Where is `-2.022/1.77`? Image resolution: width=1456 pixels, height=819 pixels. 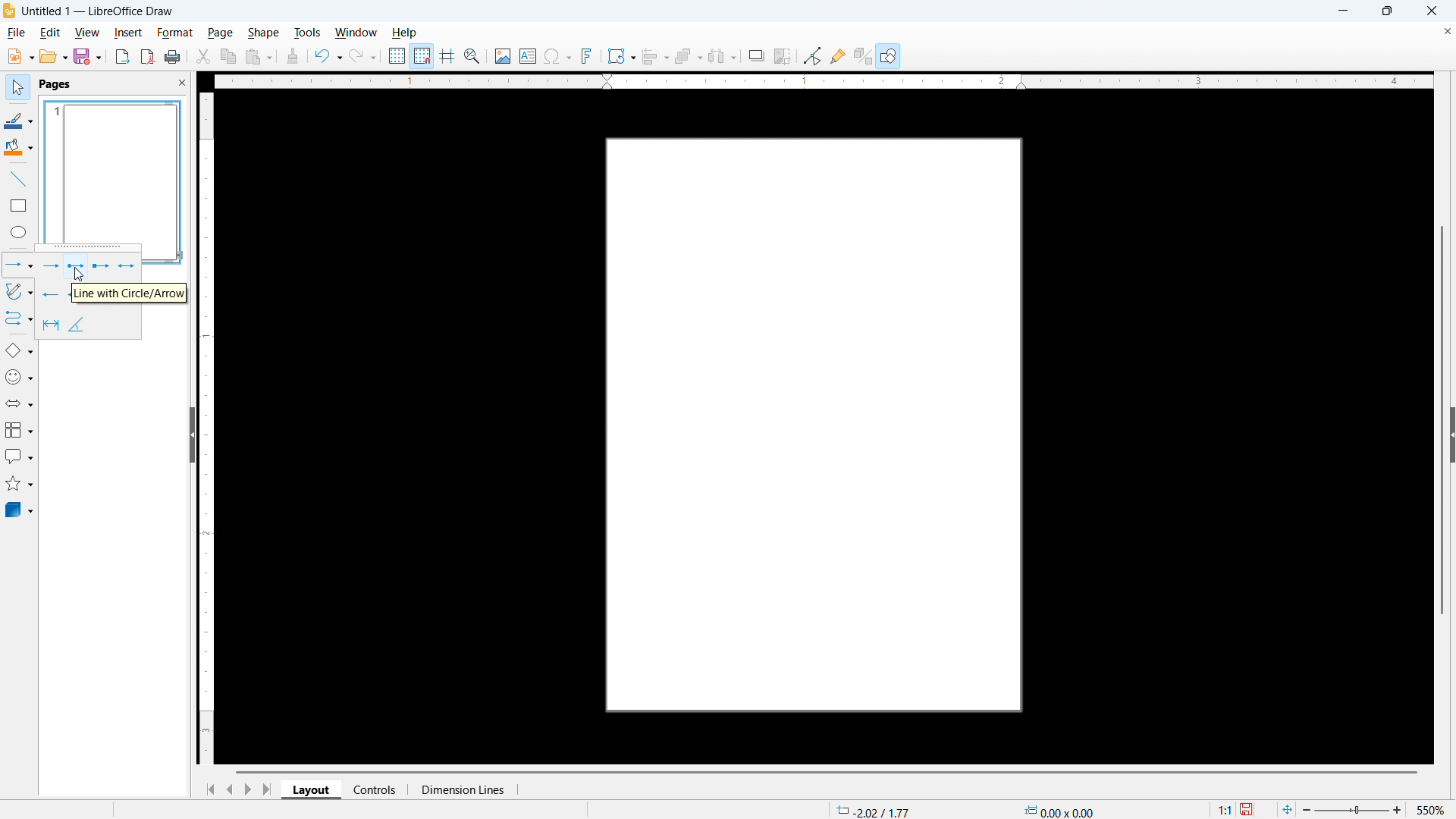
-2.022/1.77 is located at coordinates (871, 810).